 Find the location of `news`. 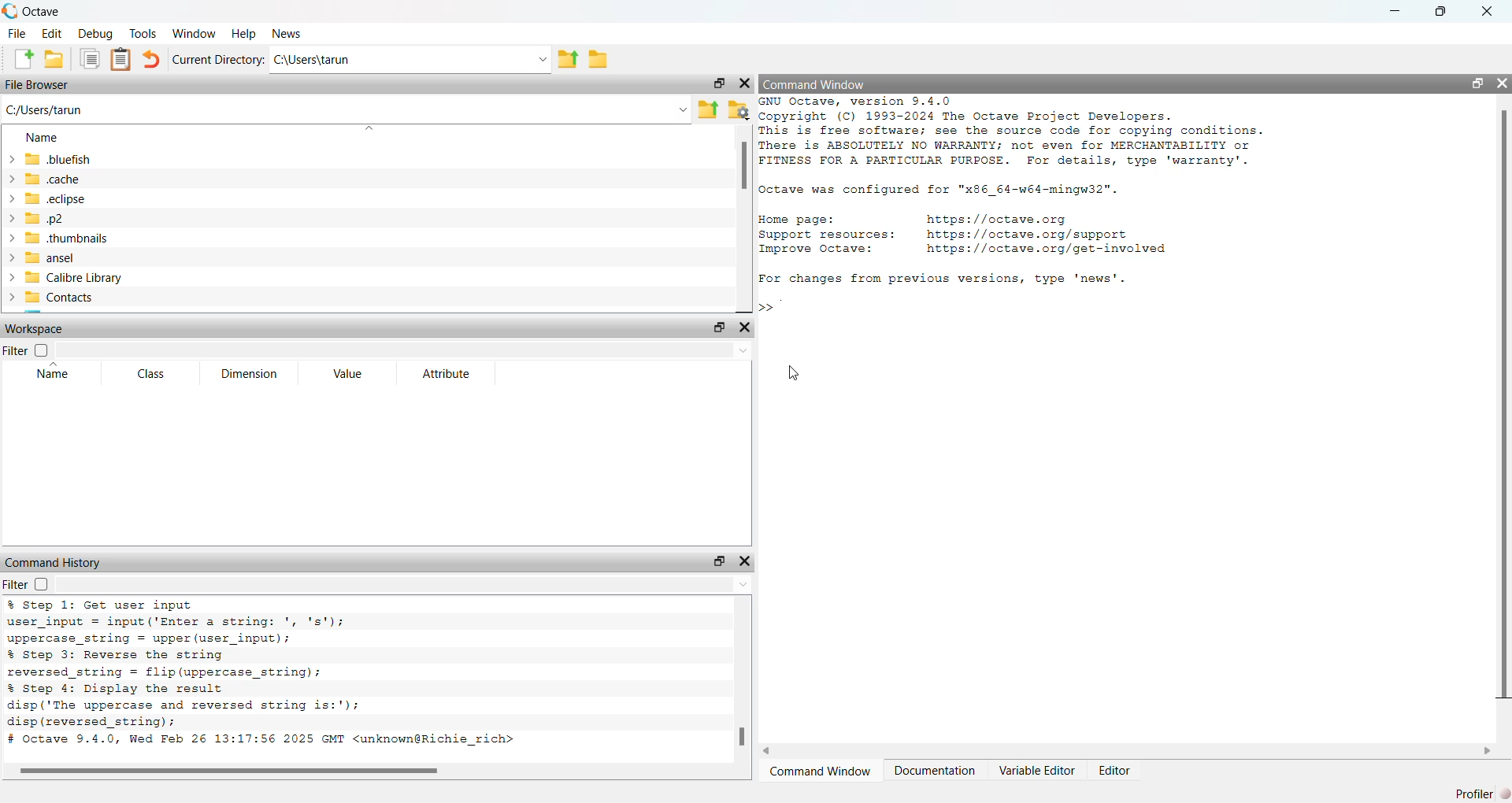

news is located at coordinates (291, 34).